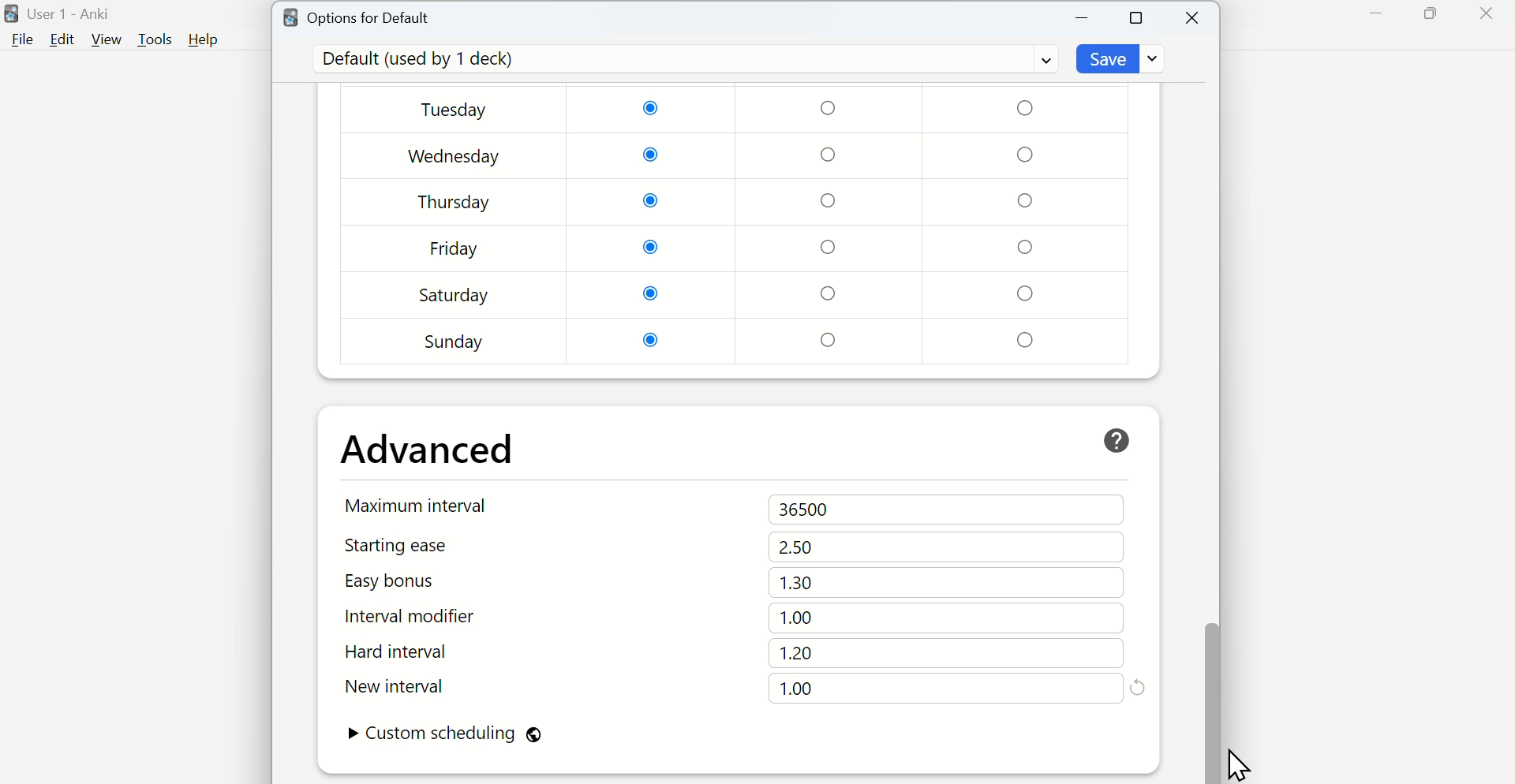 The image size is (1515, 784). I want to click on Sunday, so click(455, 342).